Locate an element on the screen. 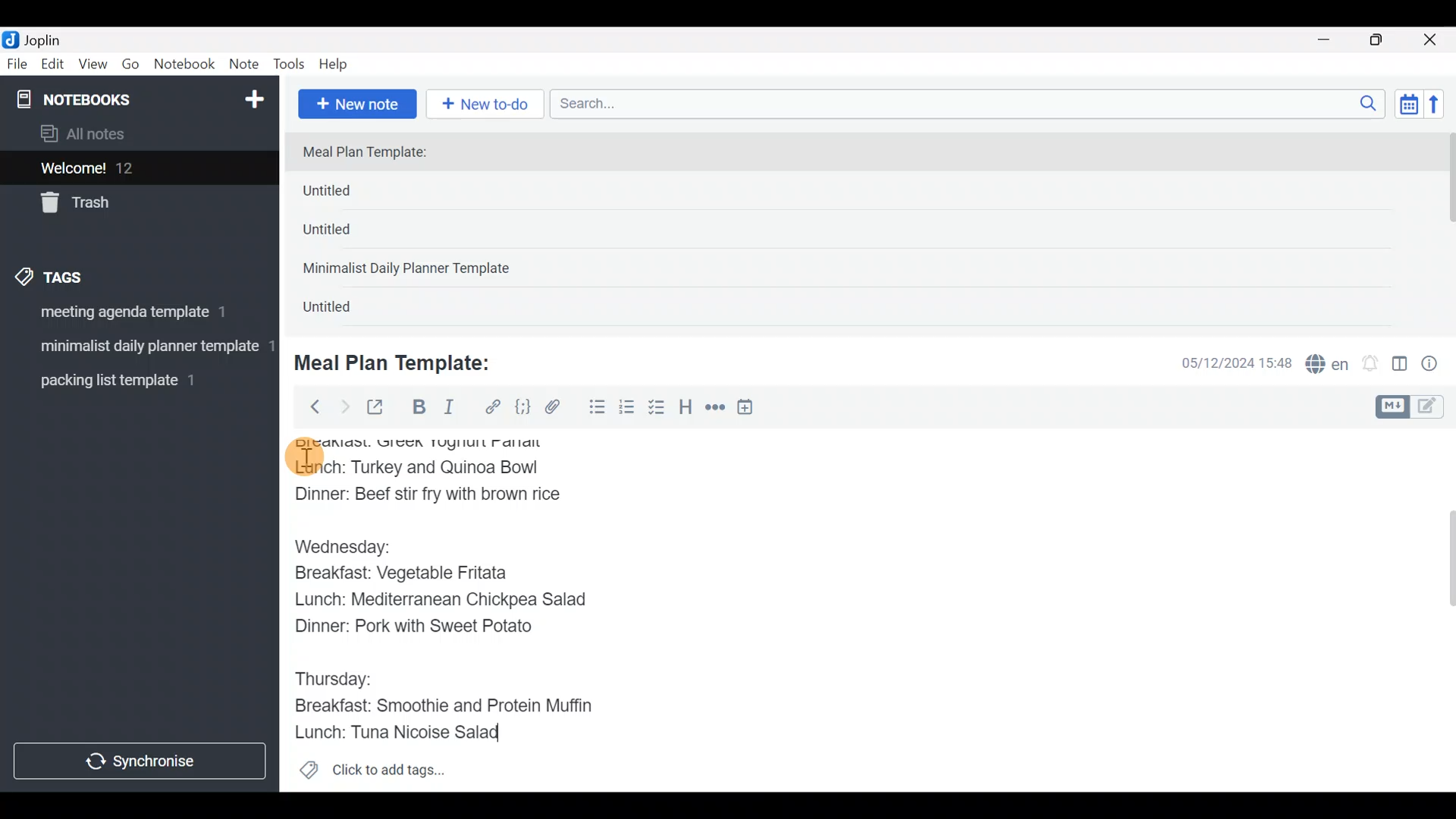  Minimize is located at coordinates (1332, 38).